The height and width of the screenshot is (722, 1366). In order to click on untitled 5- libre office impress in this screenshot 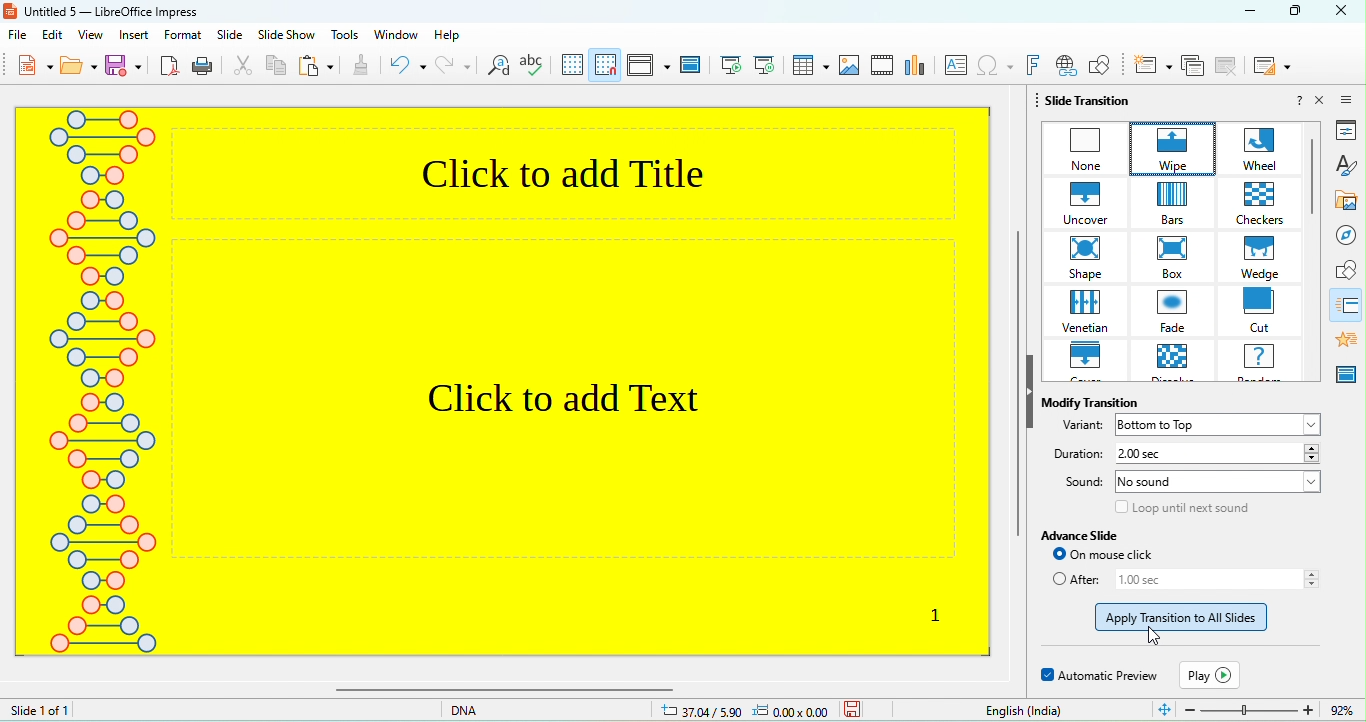, I will do `click(141, 12)`.